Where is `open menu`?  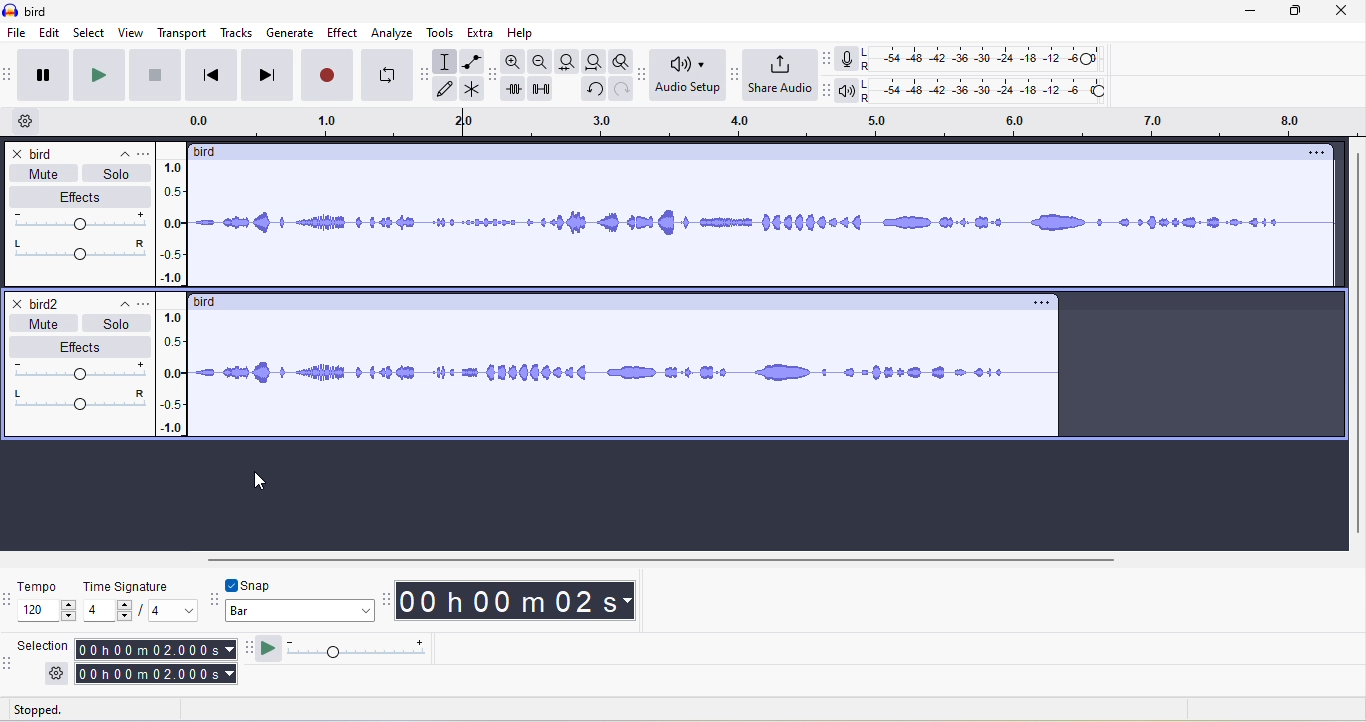 open menu is located at coordinates (142, 302).